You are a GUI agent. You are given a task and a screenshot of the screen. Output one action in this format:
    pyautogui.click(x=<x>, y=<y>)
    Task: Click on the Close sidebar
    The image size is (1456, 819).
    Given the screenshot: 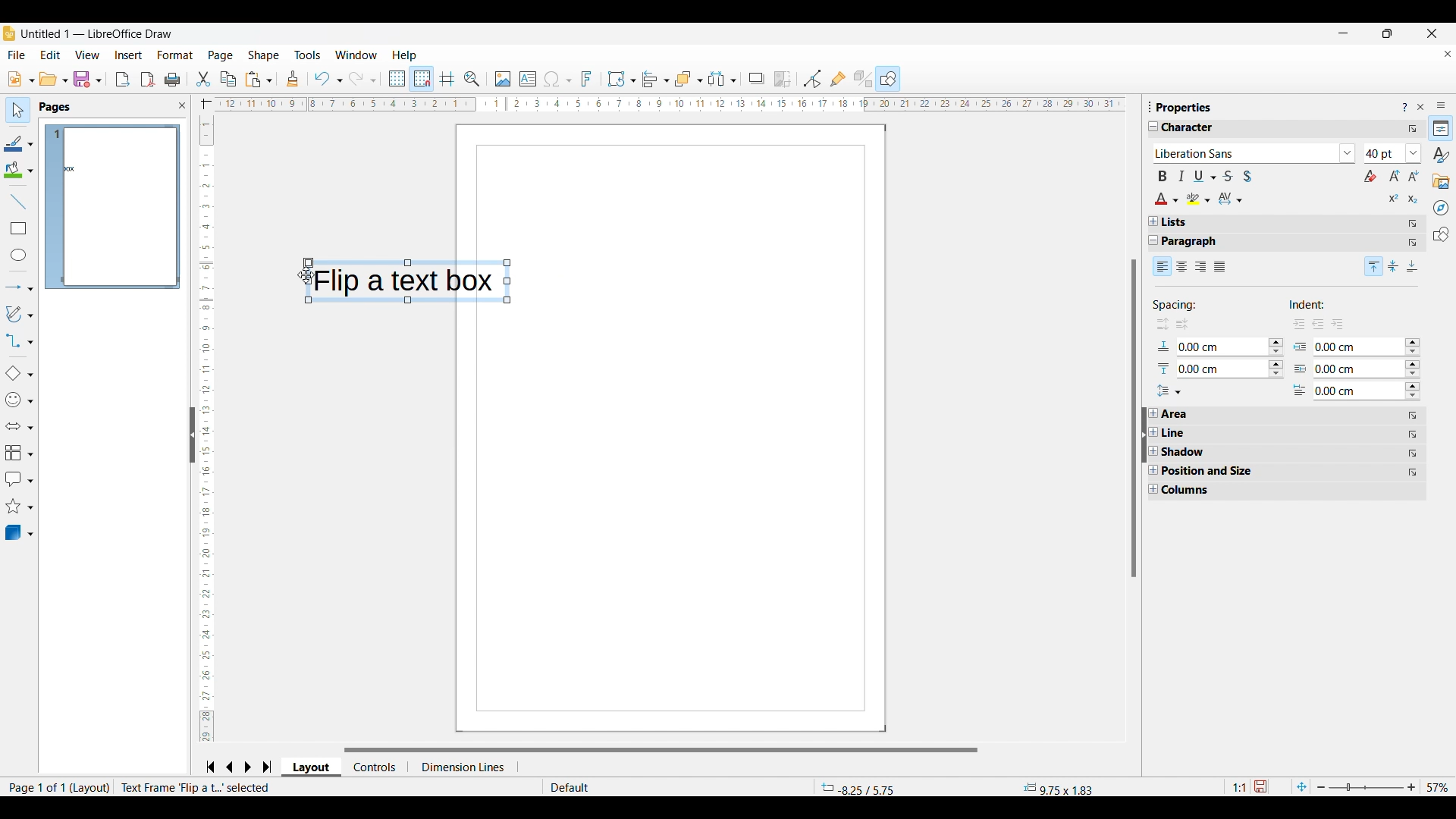 What is the action you would take?
    pyautogui.click(x=183, y=105)
    